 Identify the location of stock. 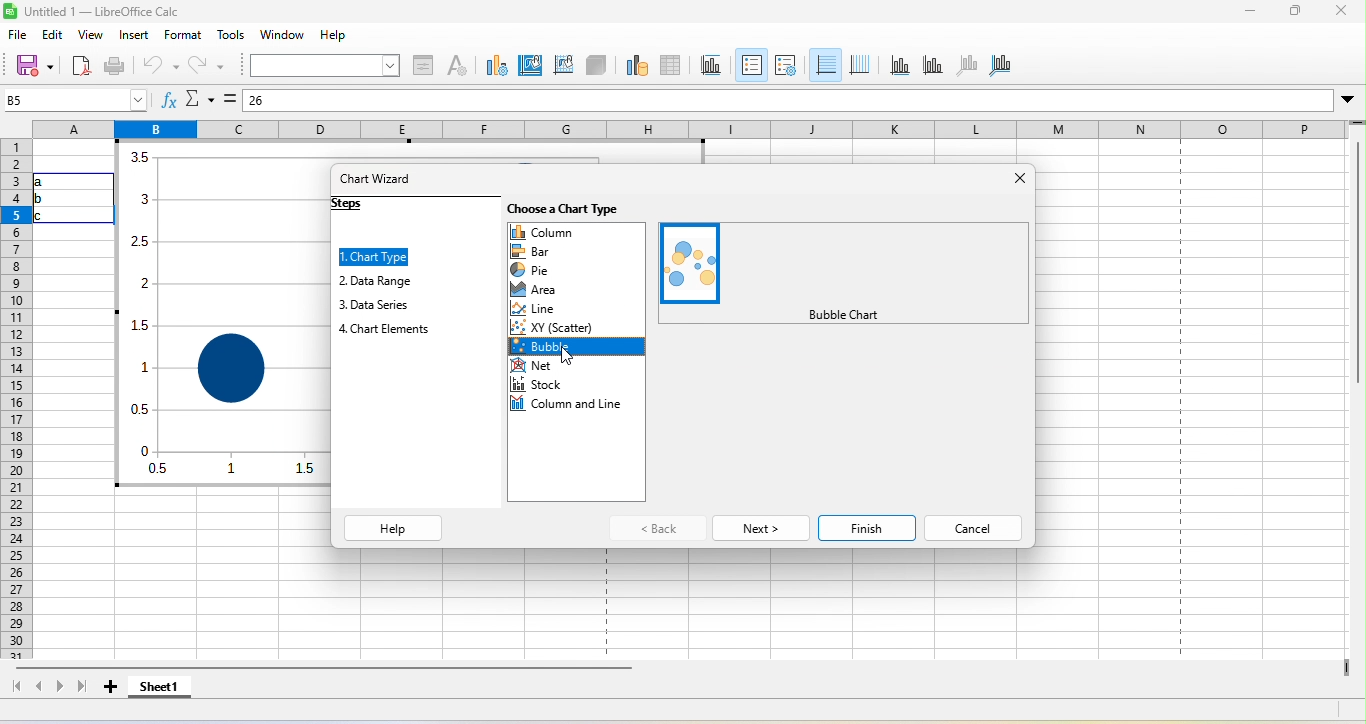
(537, 388).